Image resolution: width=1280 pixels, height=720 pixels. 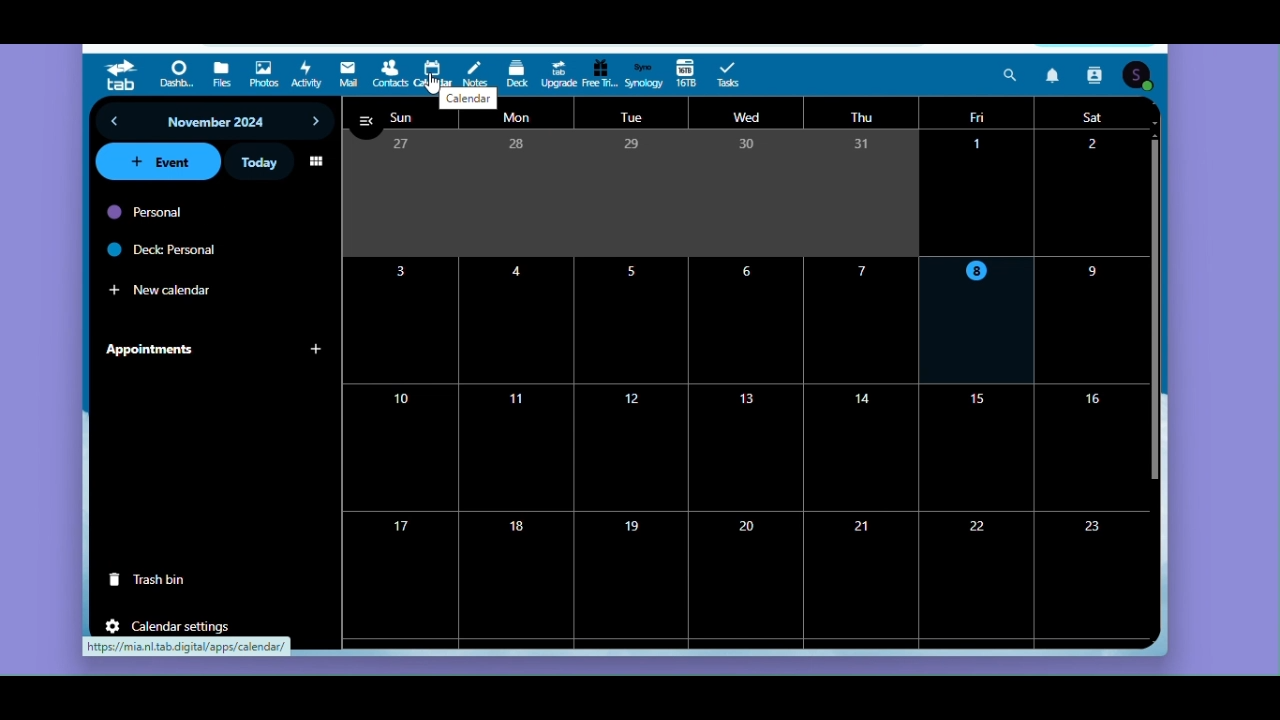 I want to click on More options, so click(x=317, y=160).